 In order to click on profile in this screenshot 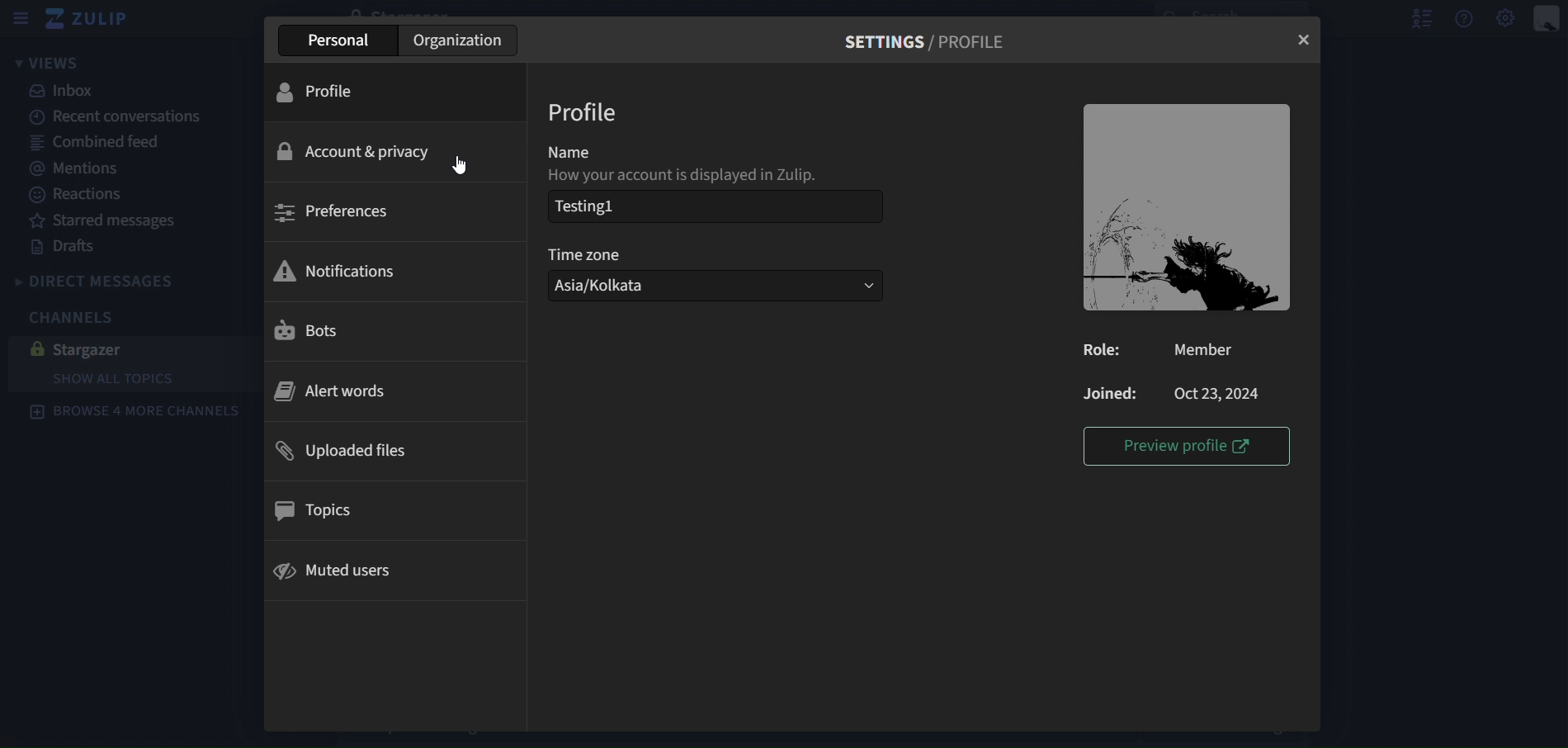, I will do `click(319, 93)`.